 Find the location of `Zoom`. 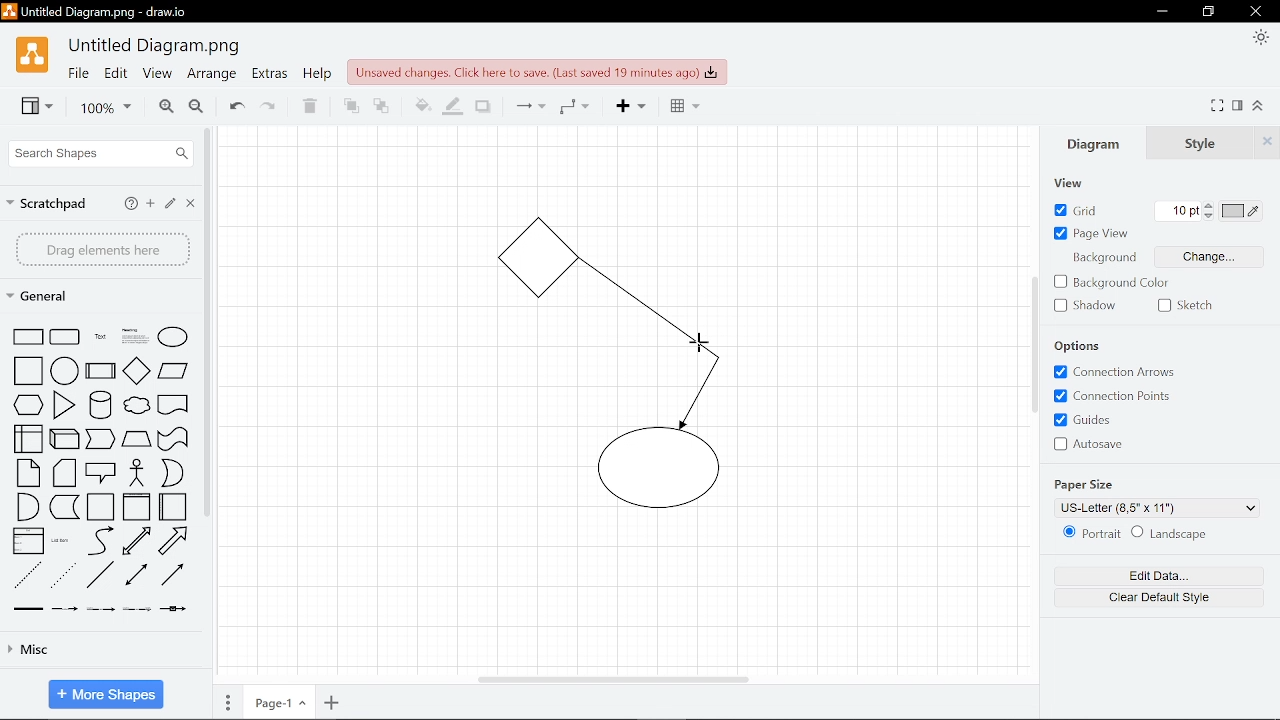

Zoom is located at coordinates (98, 108).